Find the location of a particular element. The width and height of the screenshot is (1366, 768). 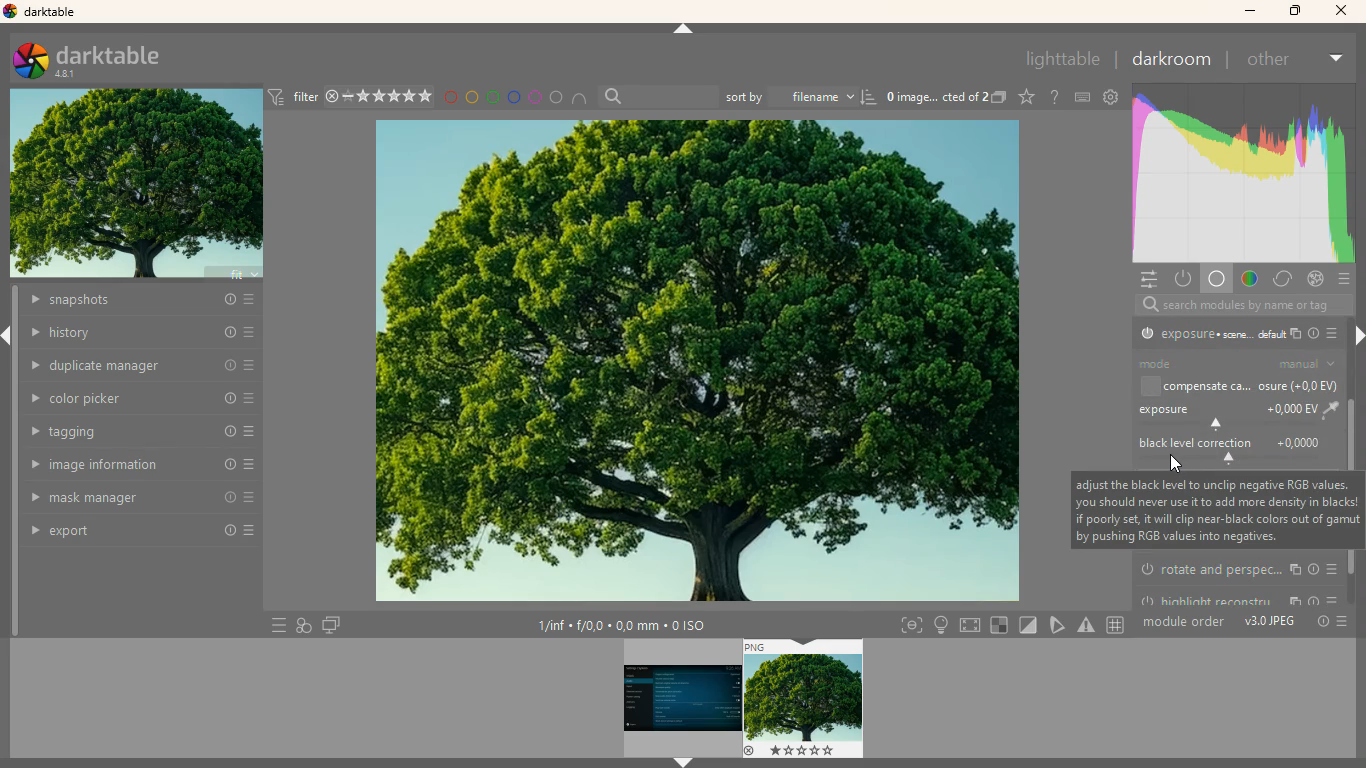

settings is located at coordinates (1110, 97).